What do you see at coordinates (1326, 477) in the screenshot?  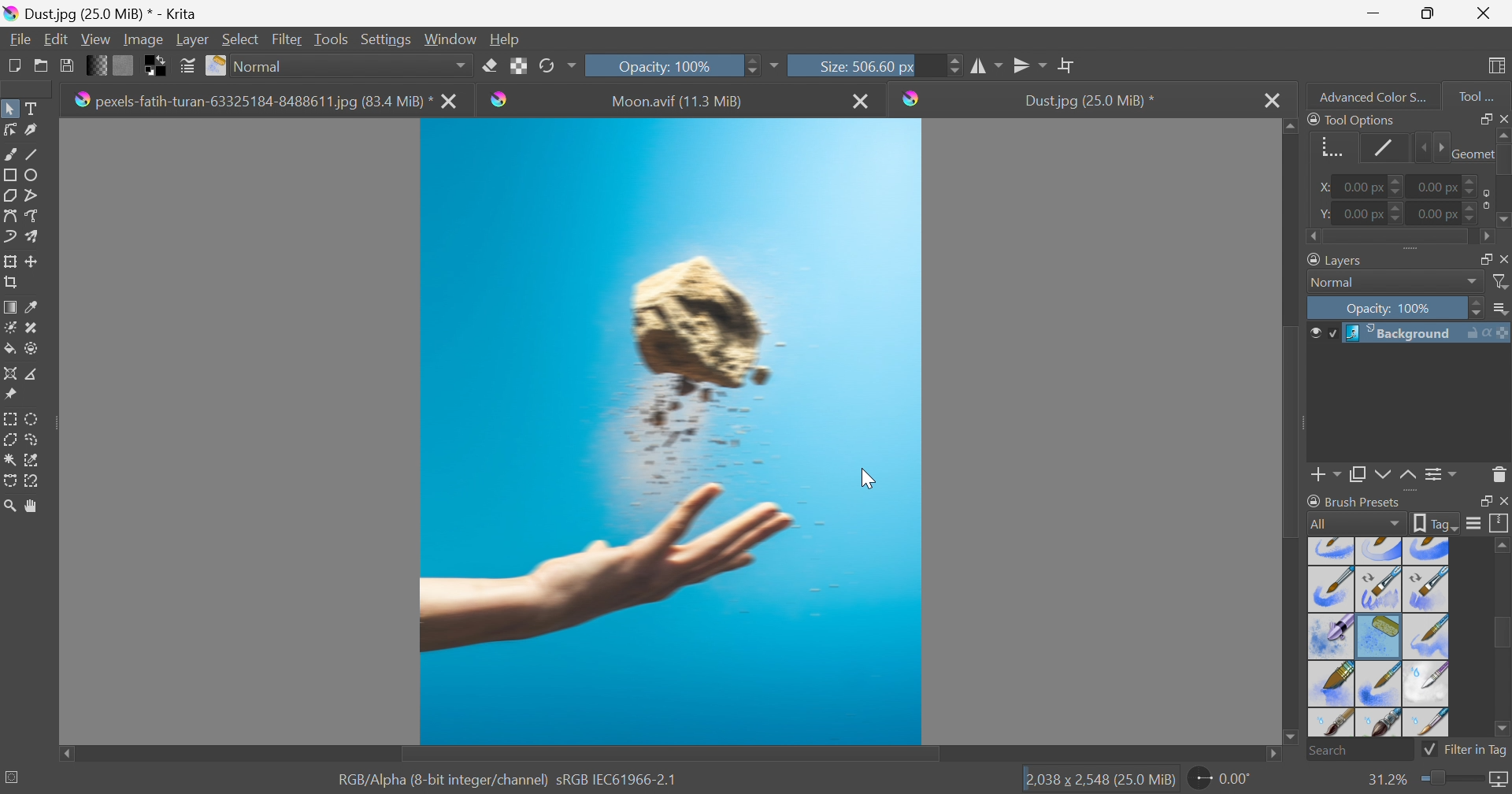 I see `Add Layer` at bounding box center [1326, 477].